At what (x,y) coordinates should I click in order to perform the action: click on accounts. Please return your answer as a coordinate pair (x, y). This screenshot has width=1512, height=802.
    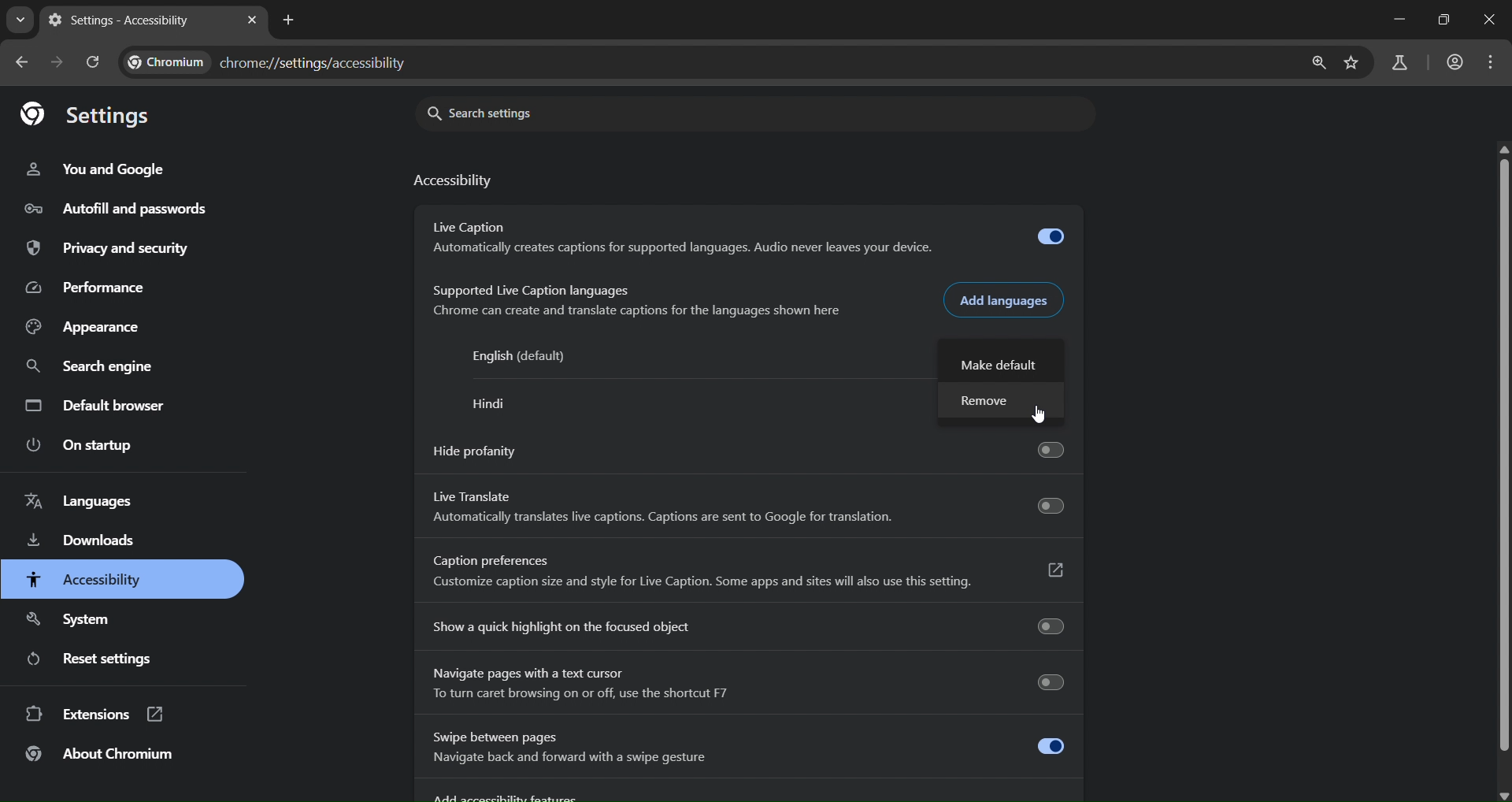
    Looking at the image, I should click on (1455, 61).